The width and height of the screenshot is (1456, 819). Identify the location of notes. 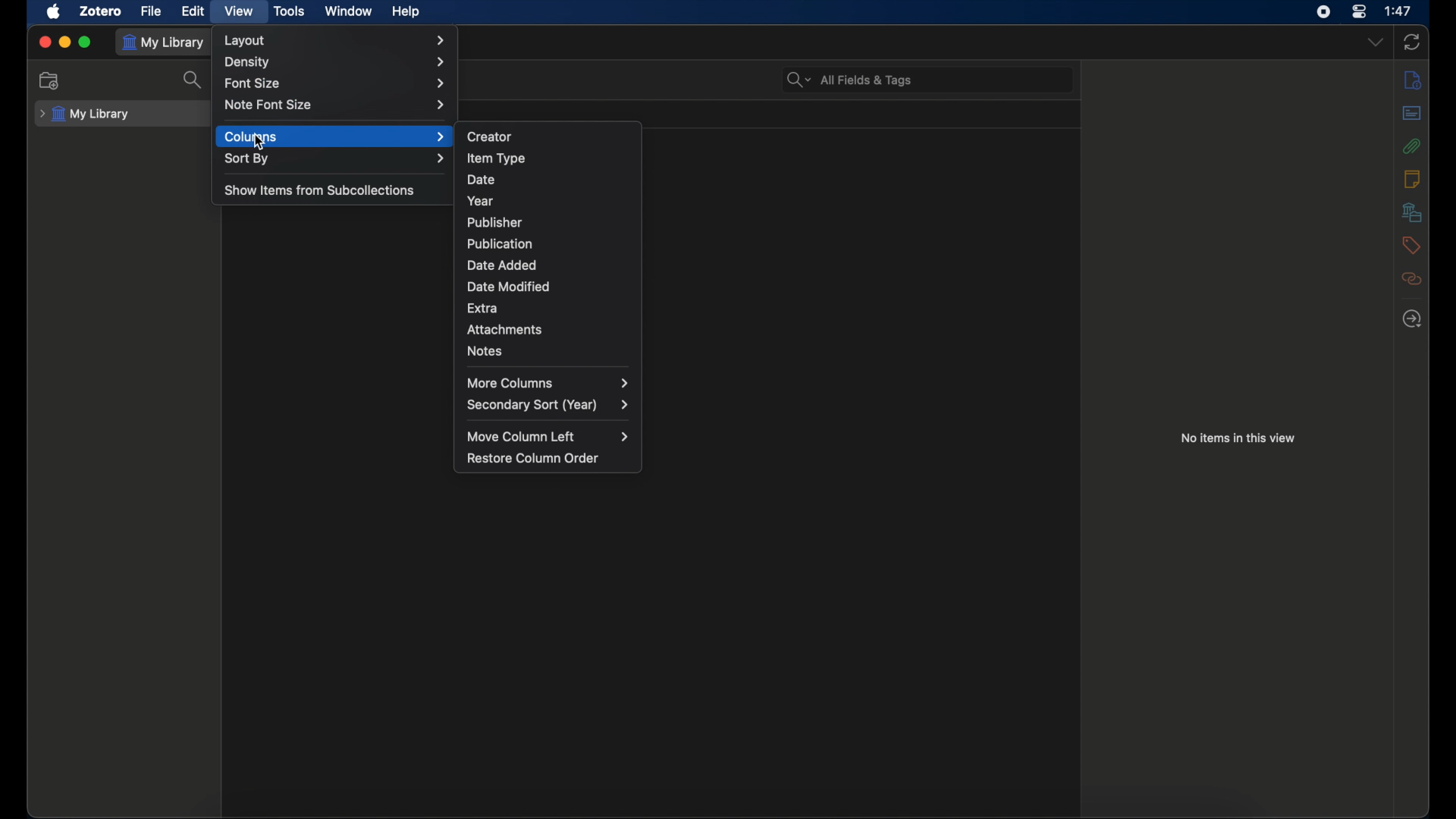
(1410, 178).